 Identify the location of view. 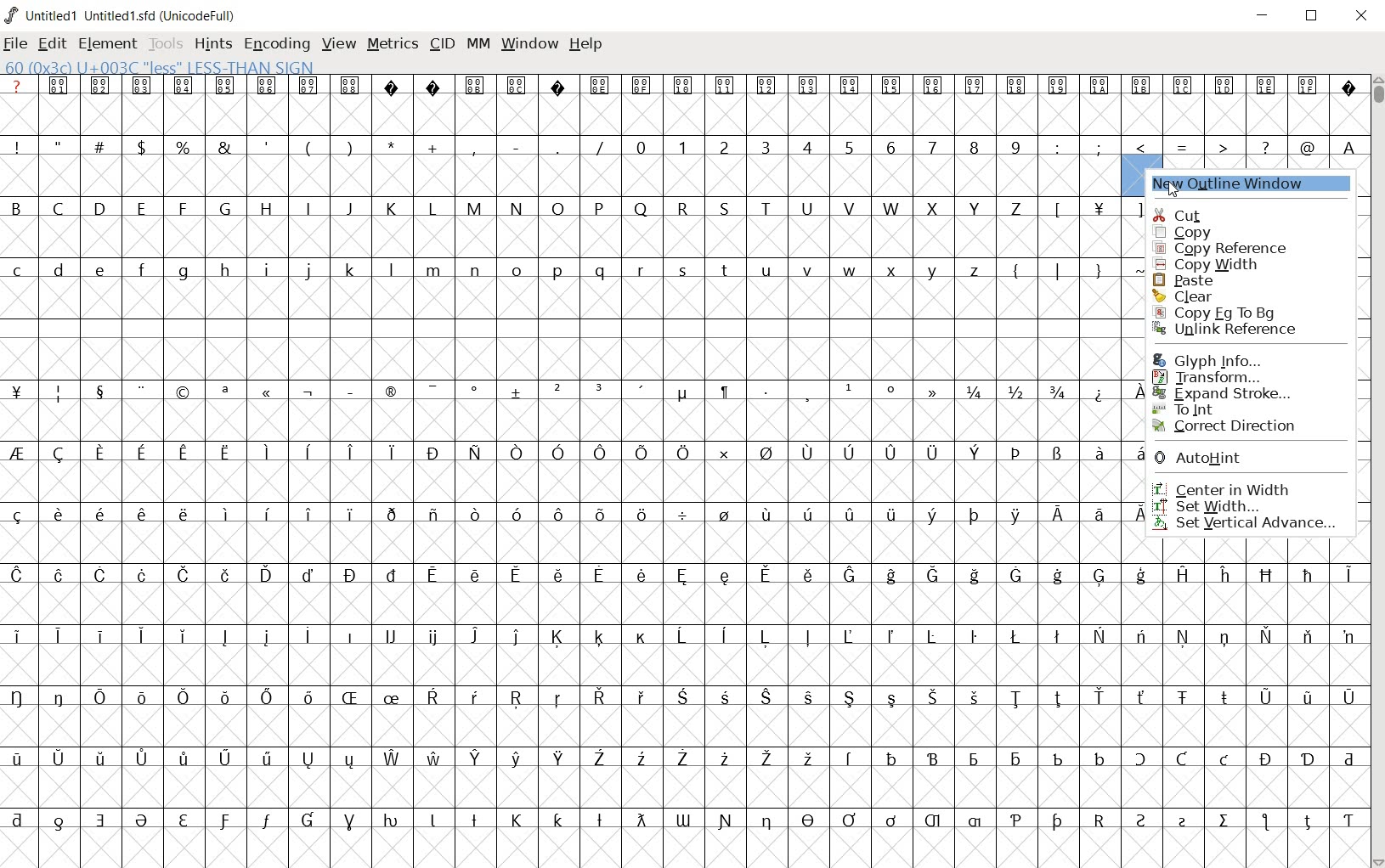
(339, 44).